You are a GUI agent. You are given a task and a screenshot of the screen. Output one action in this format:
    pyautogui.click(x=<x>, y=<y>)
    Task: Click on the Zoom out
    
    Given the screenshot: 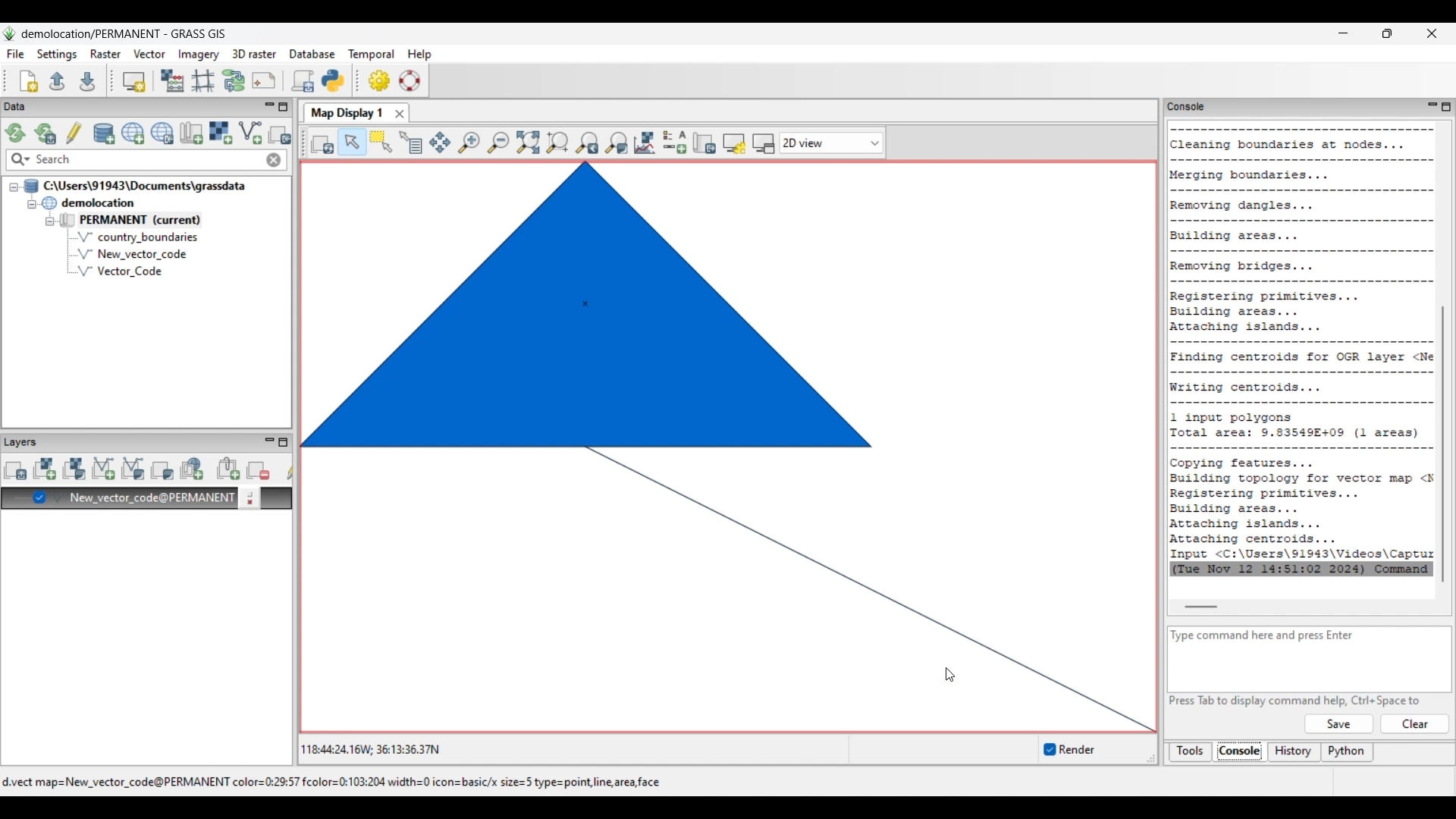 What is the action you would take?
    pyautogui.click(x=497, y=143)
    